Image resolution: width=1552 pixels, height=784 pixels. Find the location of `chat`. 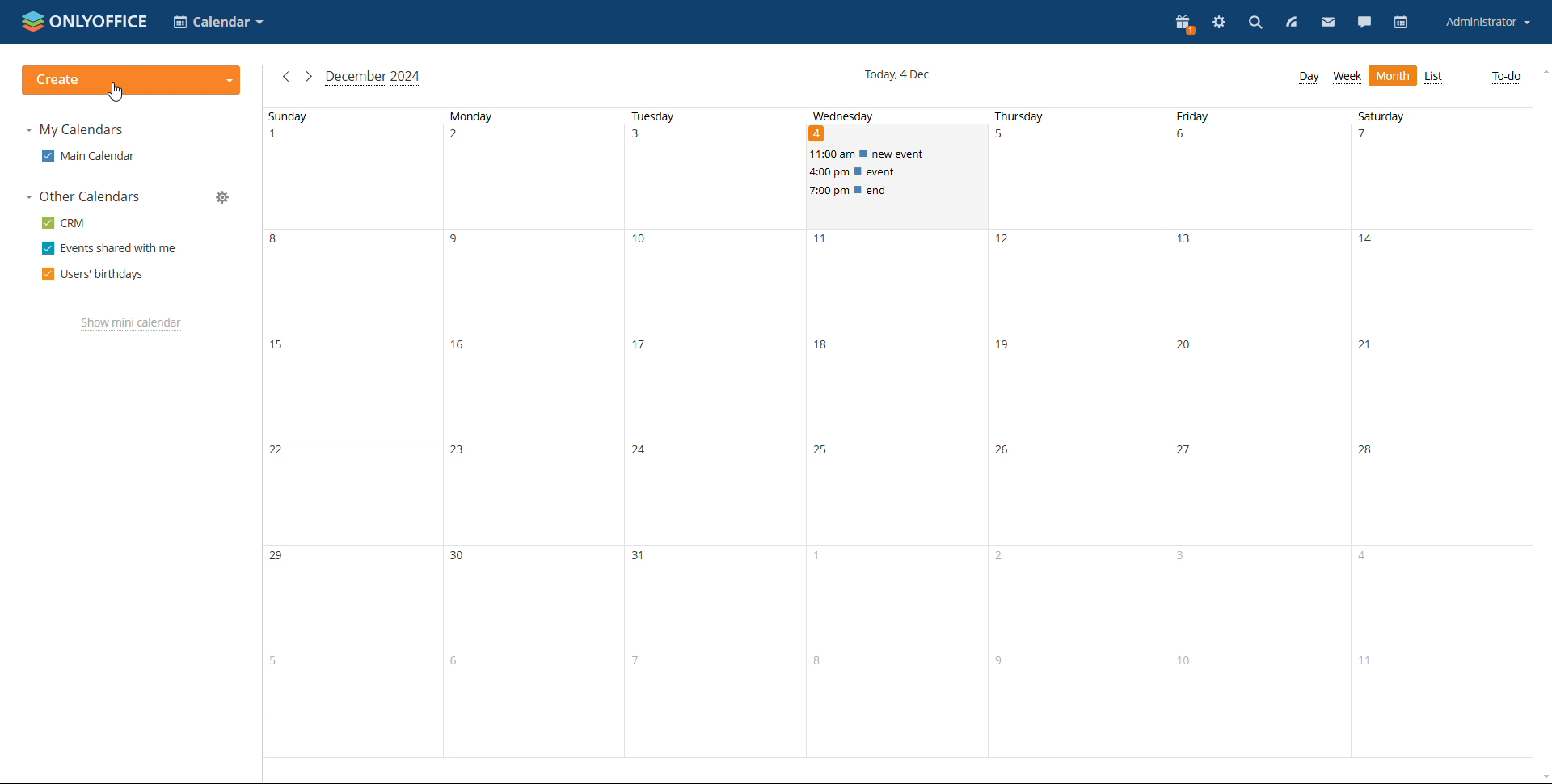

chat is located at coordinates (1365, 21).